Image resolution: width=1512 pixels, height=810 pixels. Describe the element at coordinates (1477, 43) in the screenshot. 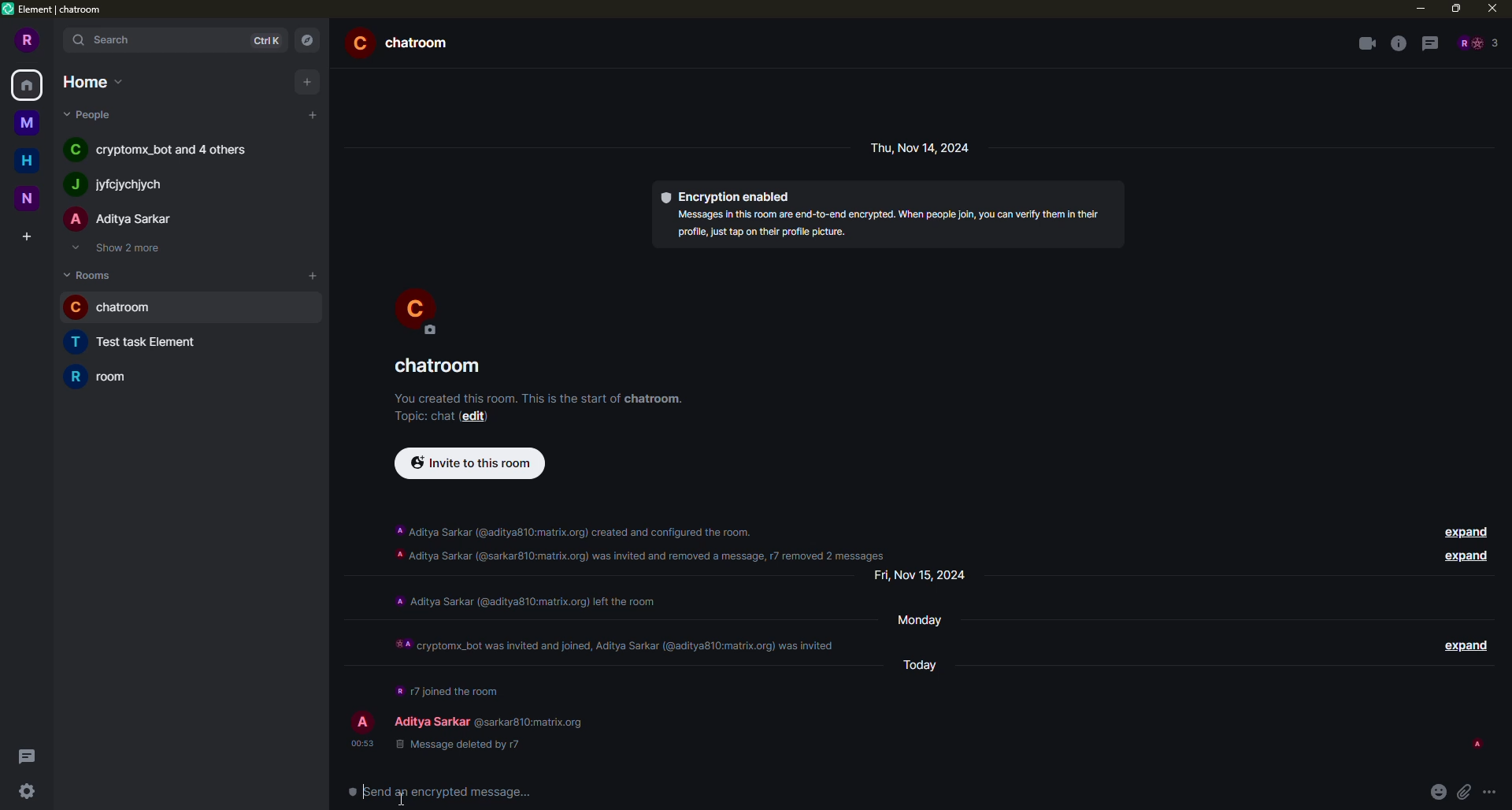

I see `people` at that location.